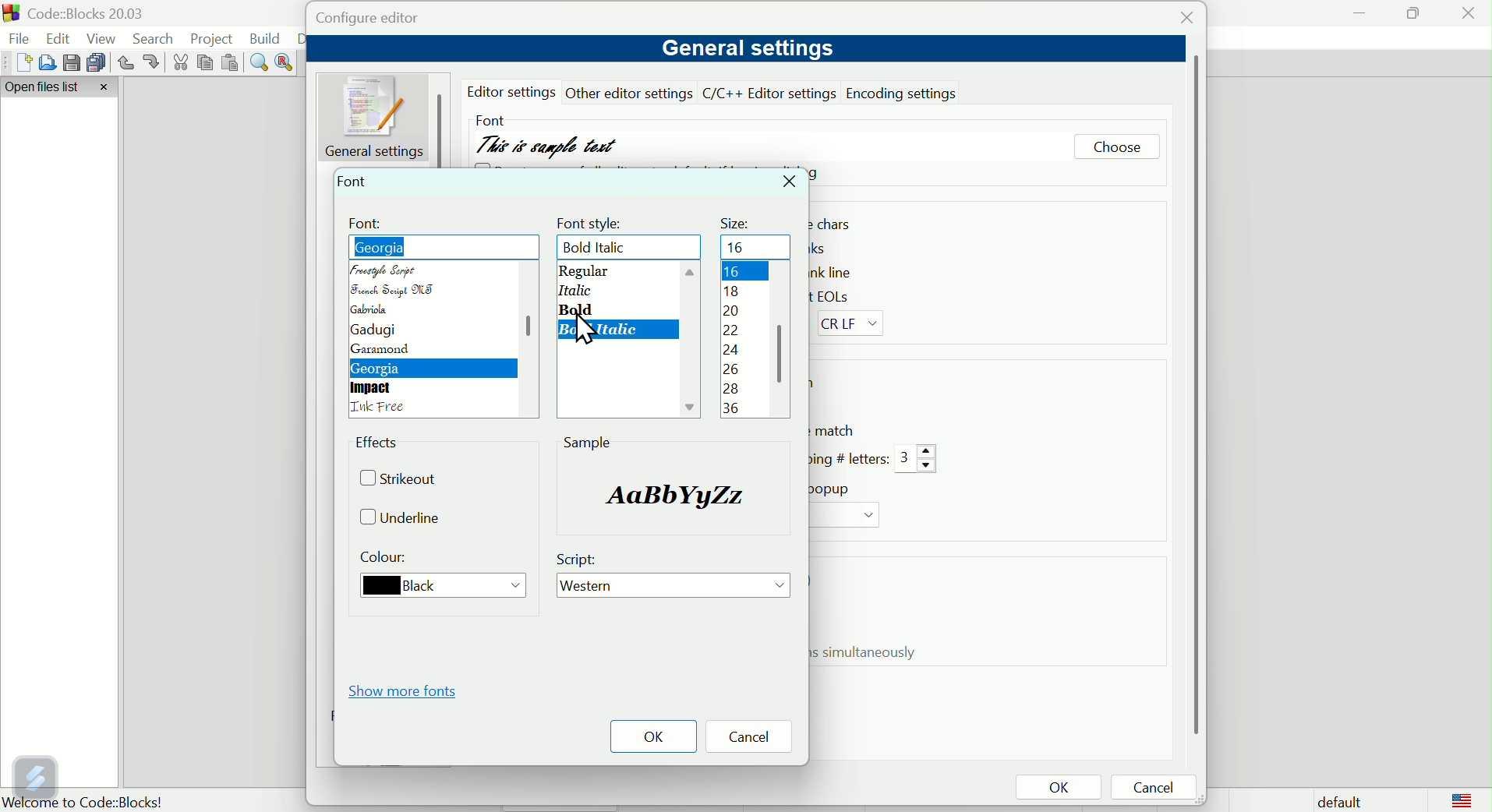 The image size is (1492, 812). What do you see at coordinates (734, 332) in the screenshot?
I see `22` at bounding box center [734, 332].